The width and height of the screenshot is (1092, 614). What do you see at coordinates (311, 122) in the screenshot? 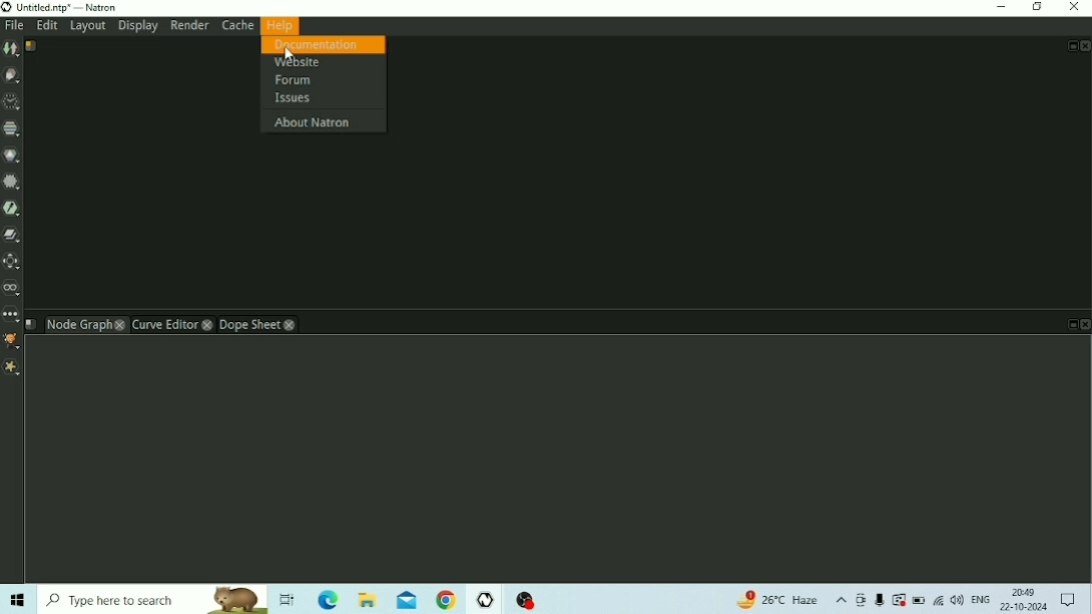
I see `About Natron` at bounding box center [311, 122].